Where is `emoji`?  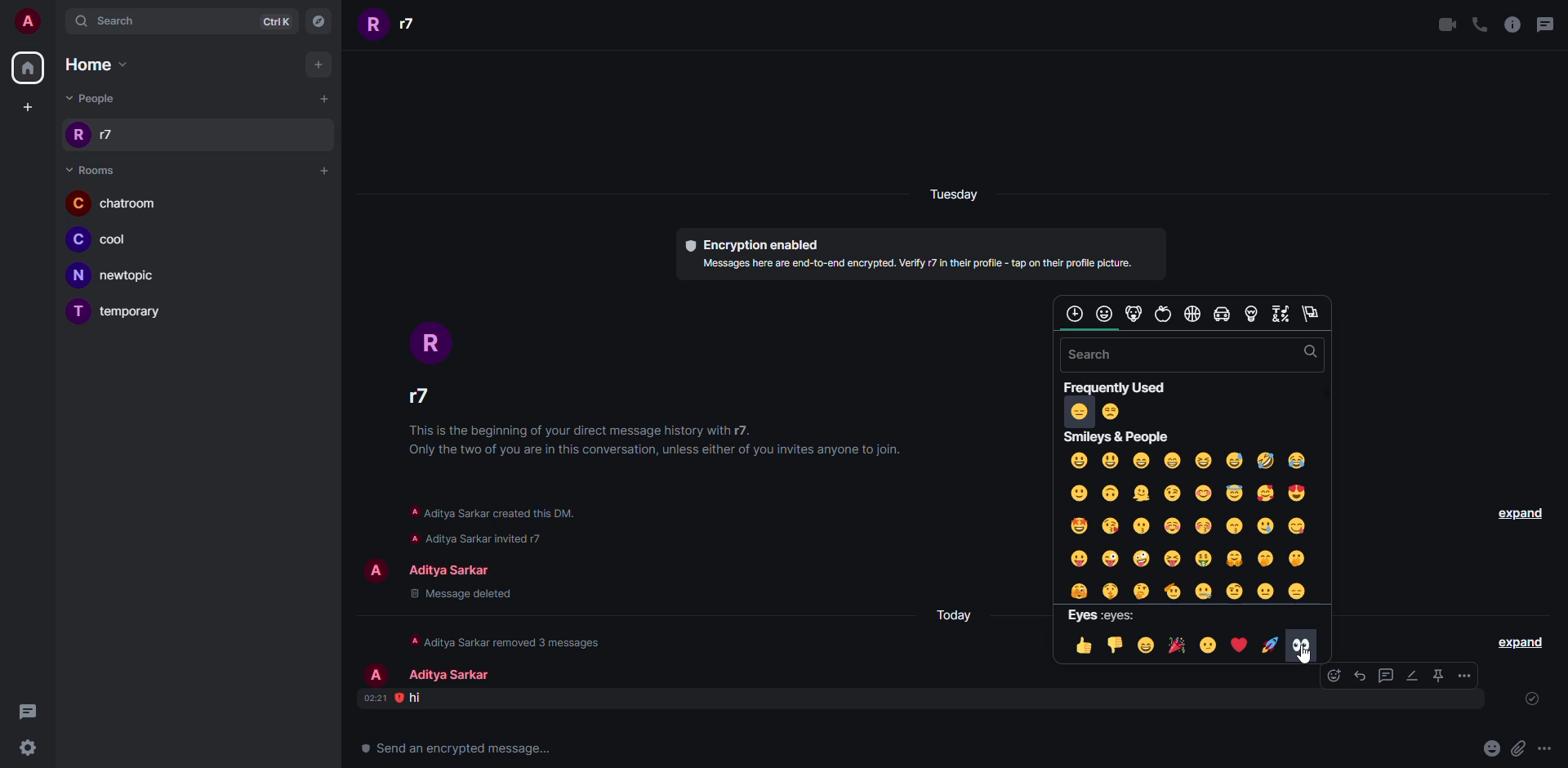 emoji is located at coordinates (1490, 748).